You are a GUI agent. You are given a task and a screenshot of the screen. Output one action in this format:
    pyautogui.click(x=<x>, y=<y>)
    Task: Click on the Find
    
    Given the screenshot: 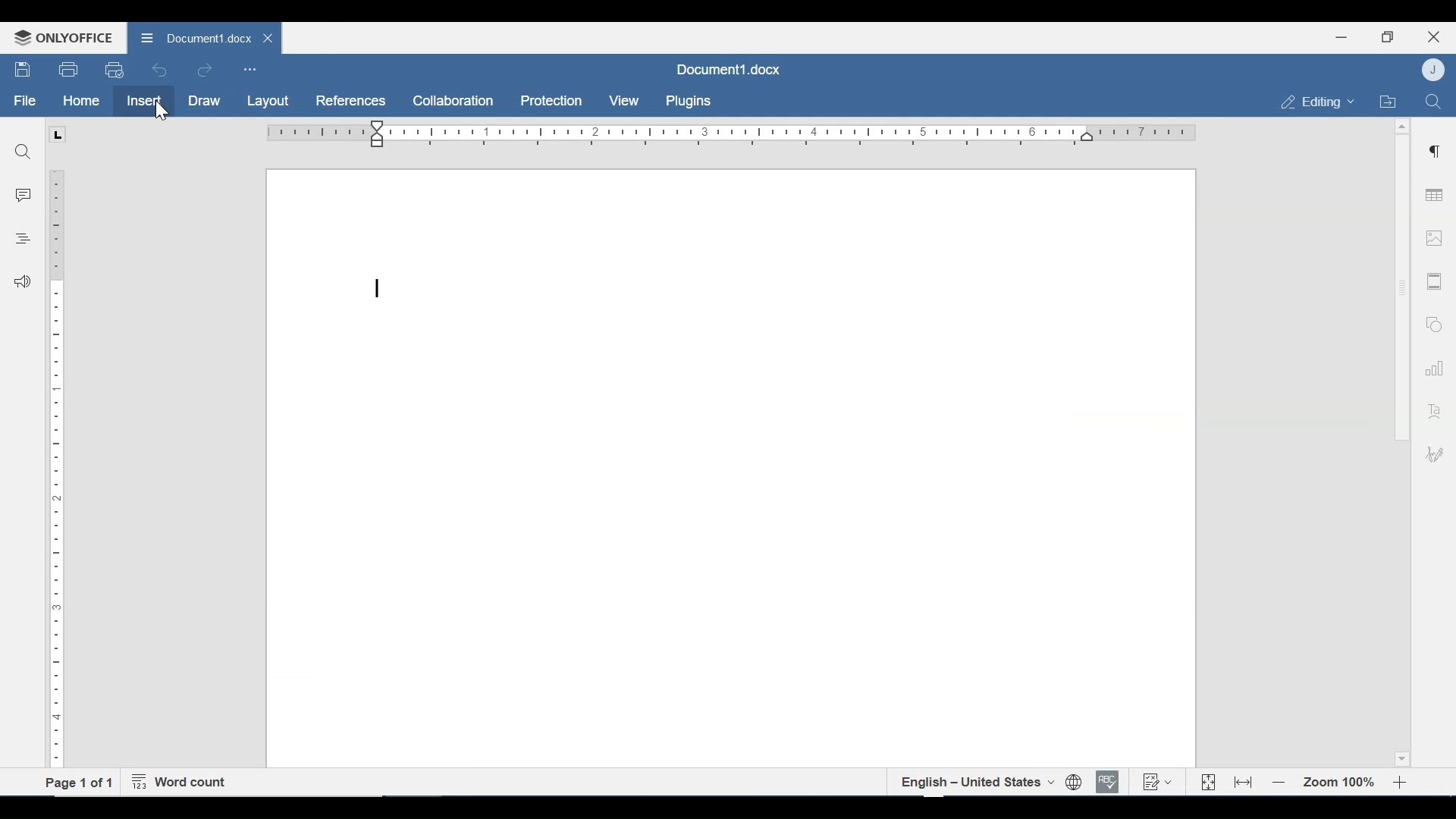 What is the action you would take?
    pyautogui.click(x=1432, y=100)
    